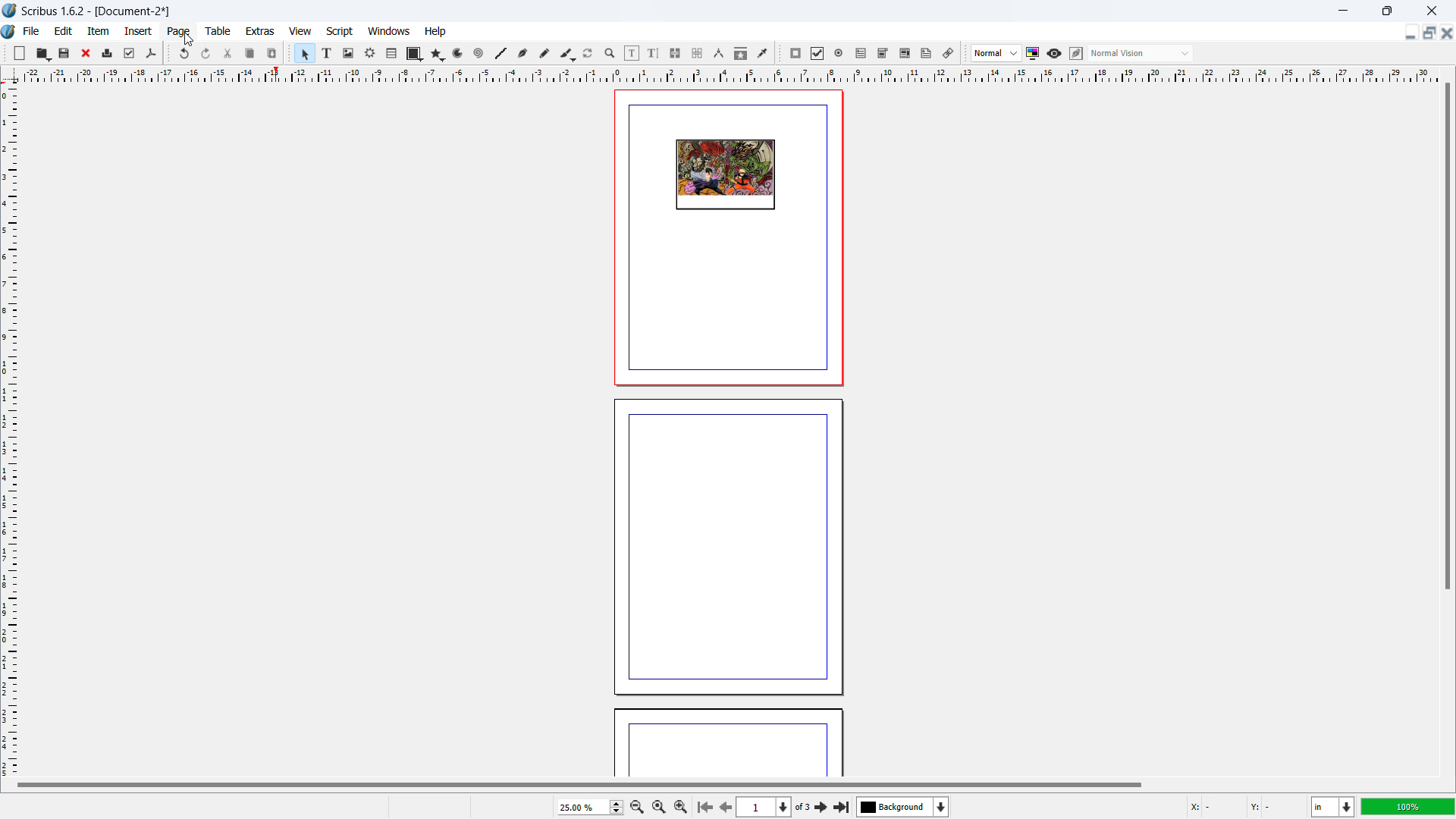 The height and width of the screenshot is (819, 1456). What do you see at coordinates (636, 806) in the screenshot?
I see `zoom out by the stepping value in tool preference` at bounding box center [636, 806].